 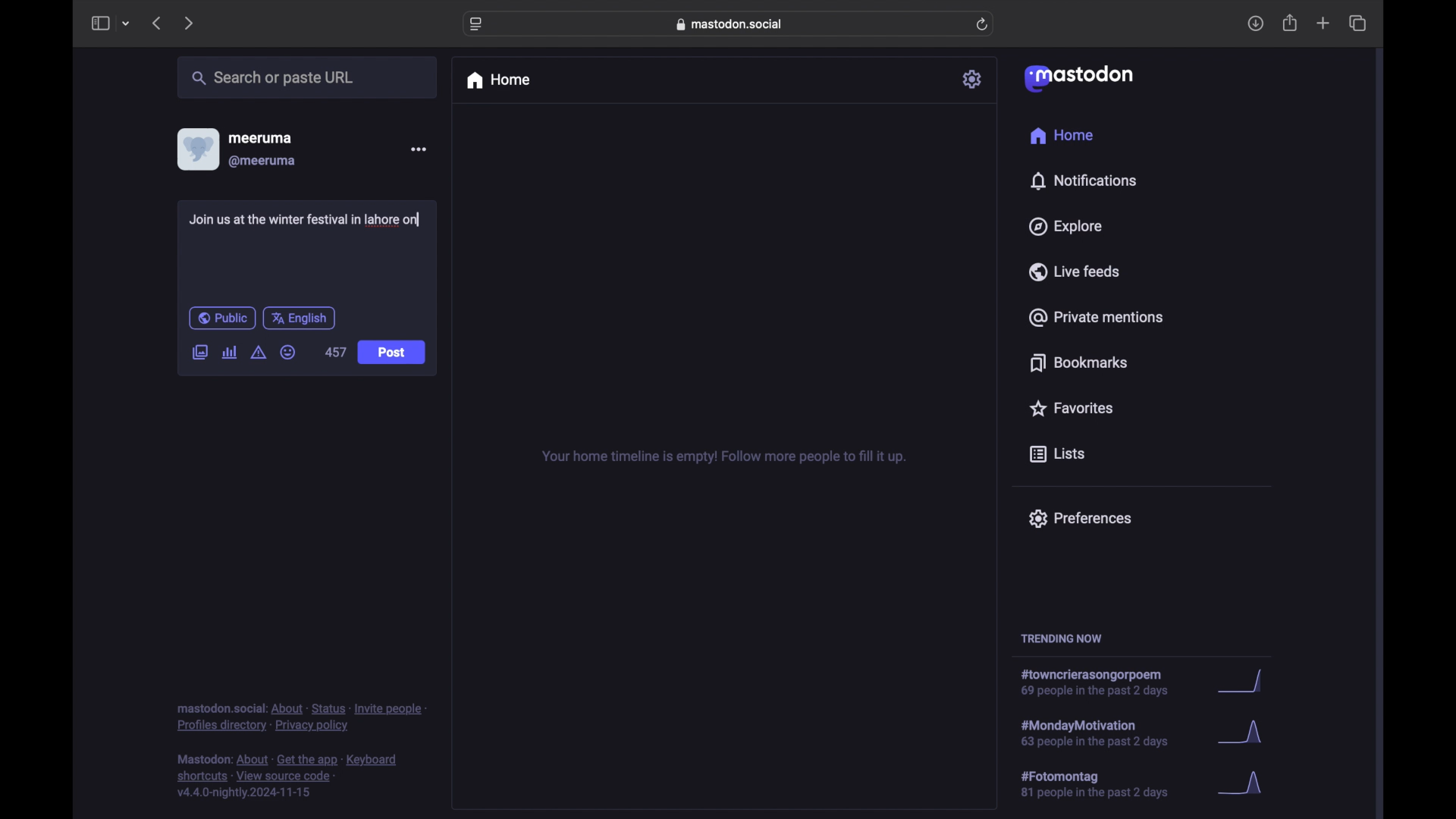 I want to click on footnote, so click(x=302, y=717).